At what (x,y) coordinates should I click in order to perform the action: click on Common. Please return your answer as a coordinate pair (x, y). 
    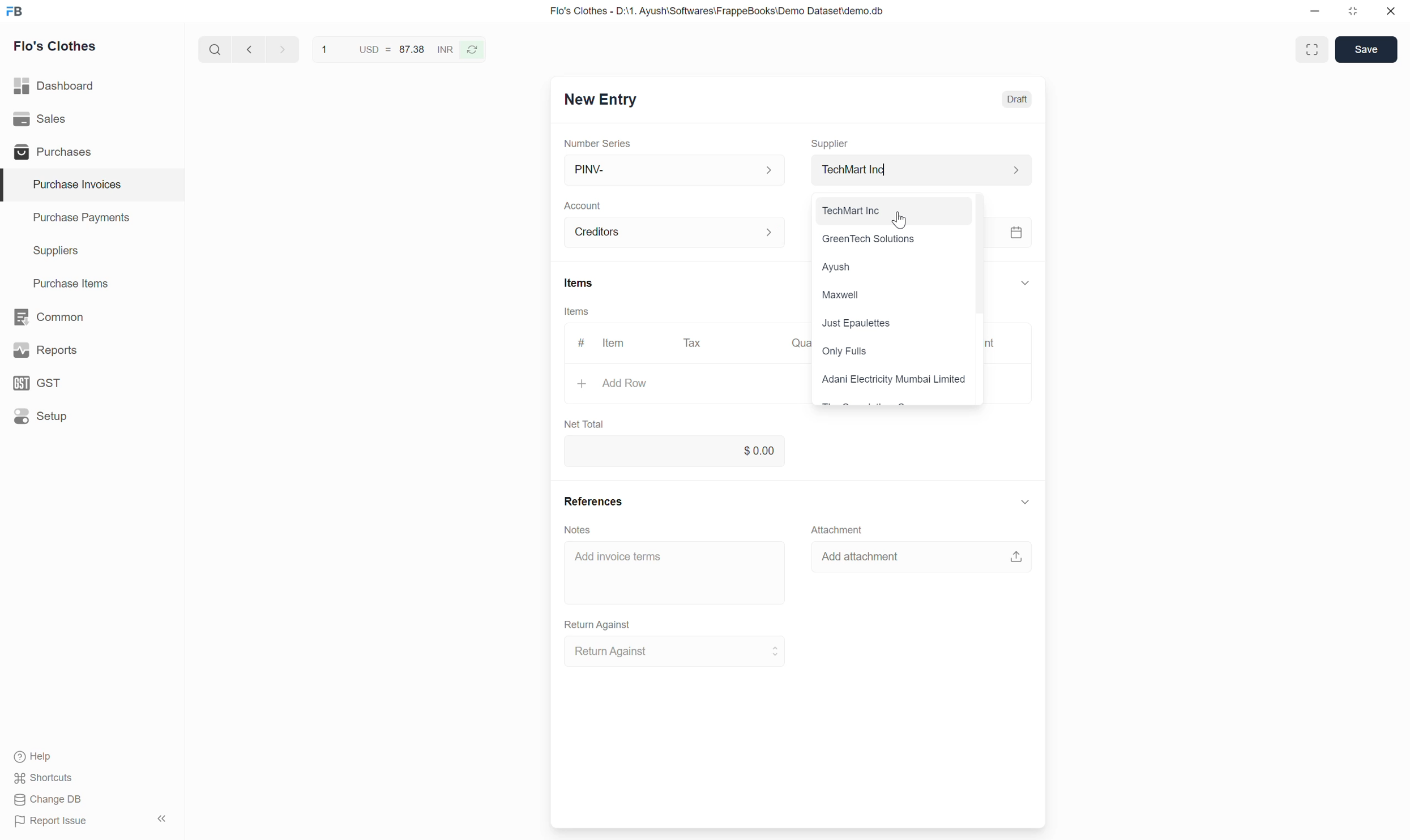
    Looking at the image, I should click on (50, 316).